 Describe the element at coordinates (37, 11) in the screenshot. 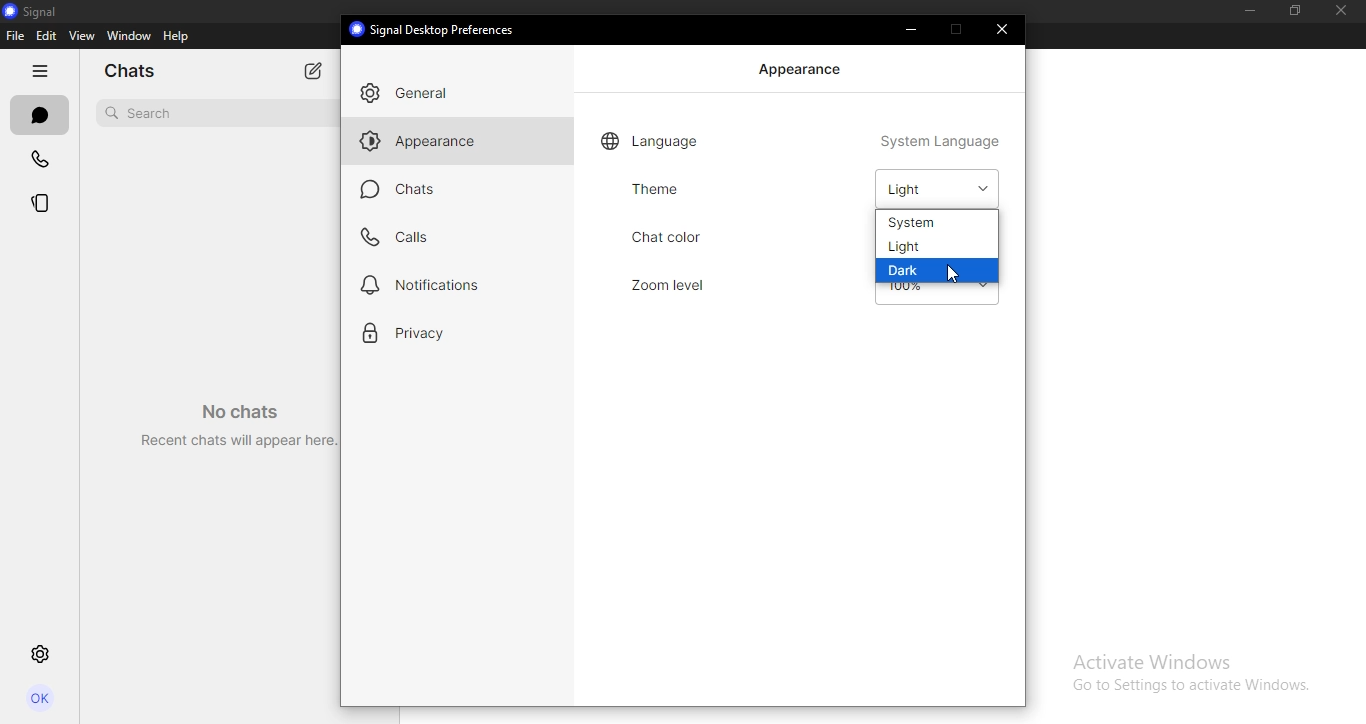

I see `signal` at that location.